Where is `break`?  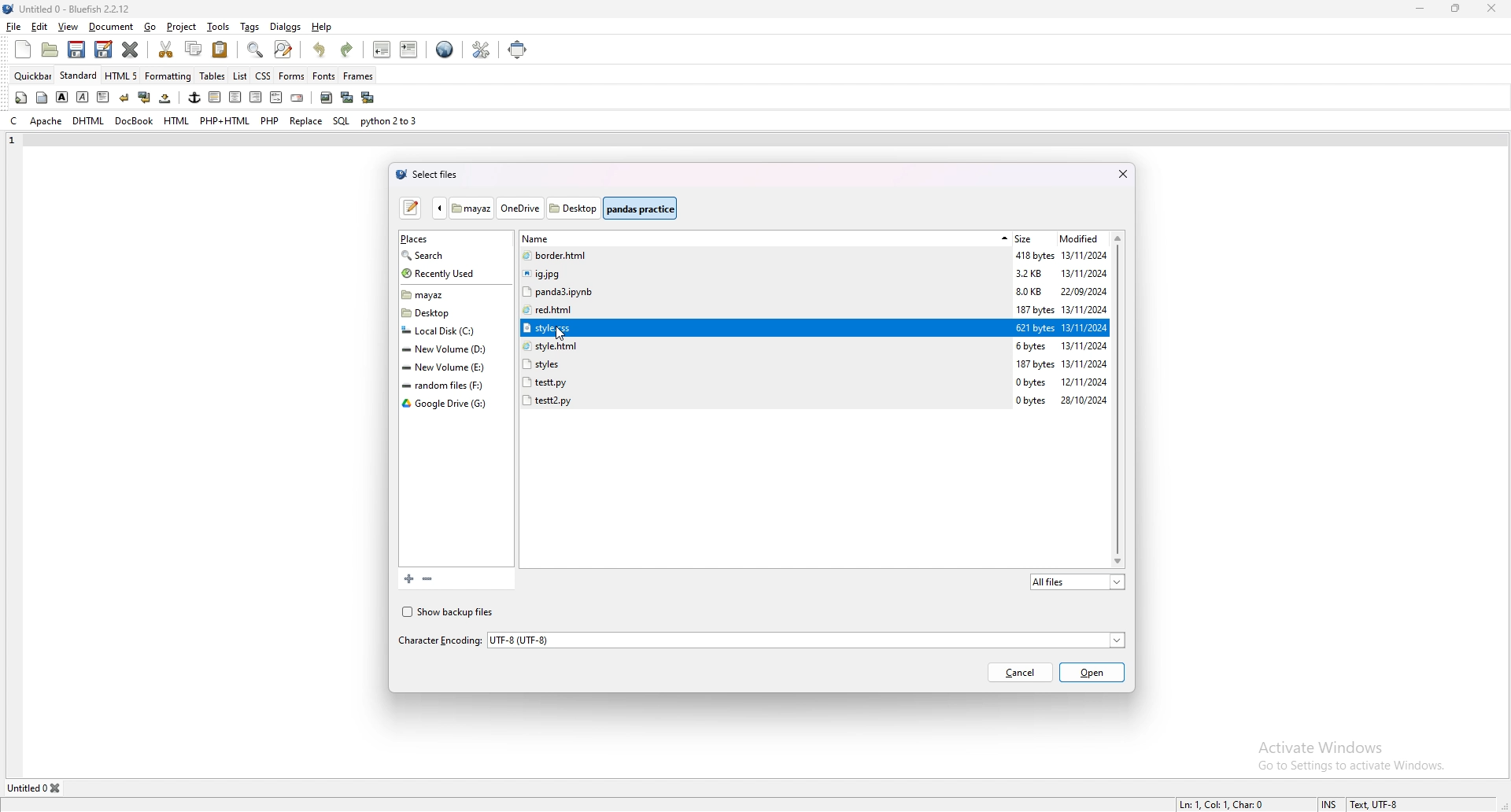
break is located at coordinates (124, 98).